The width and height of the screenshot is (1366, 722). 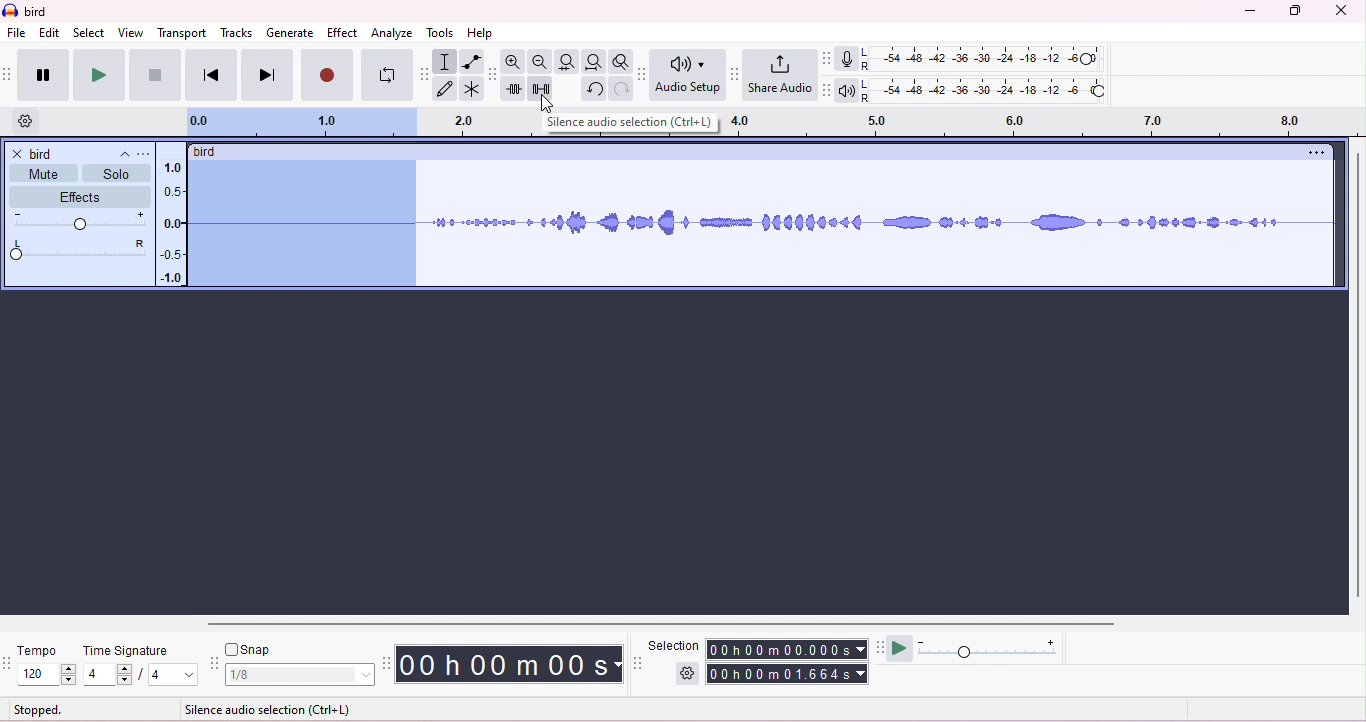 I want to click on volume, so click(x=81, y=220).